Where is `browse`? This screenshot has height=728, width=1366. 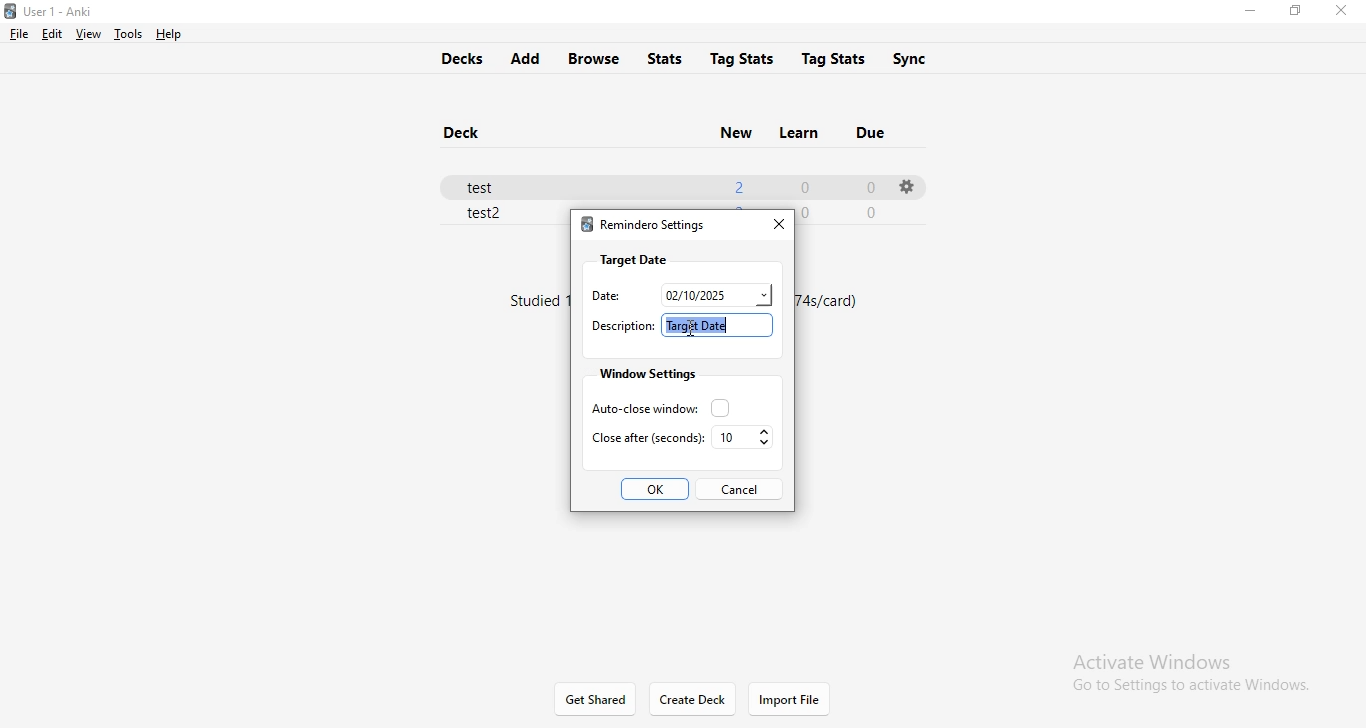 browse is located at coordinates (596, 58).